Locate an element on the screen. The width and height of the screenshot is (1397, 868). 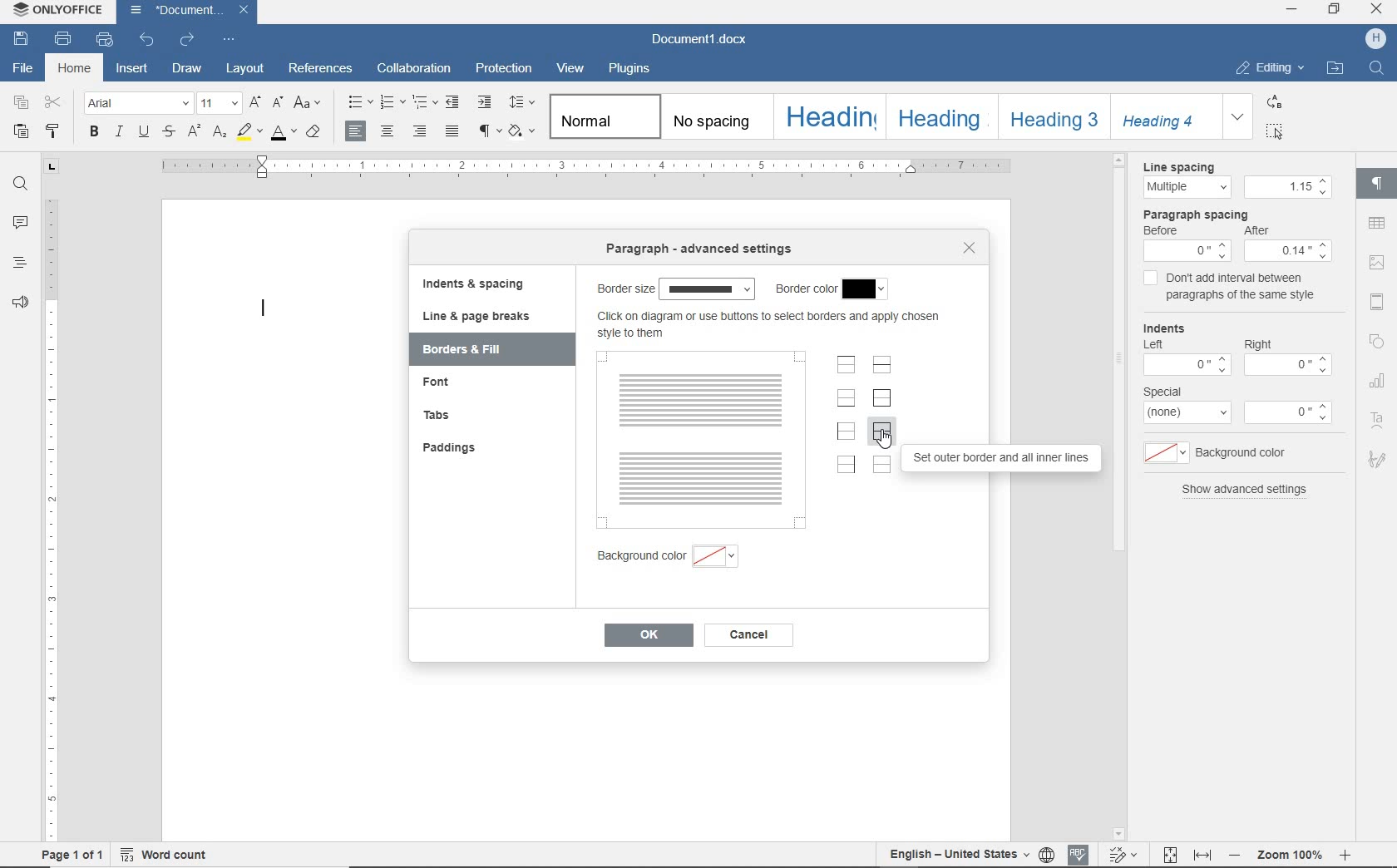
align right is located at coordinates (420, 132).